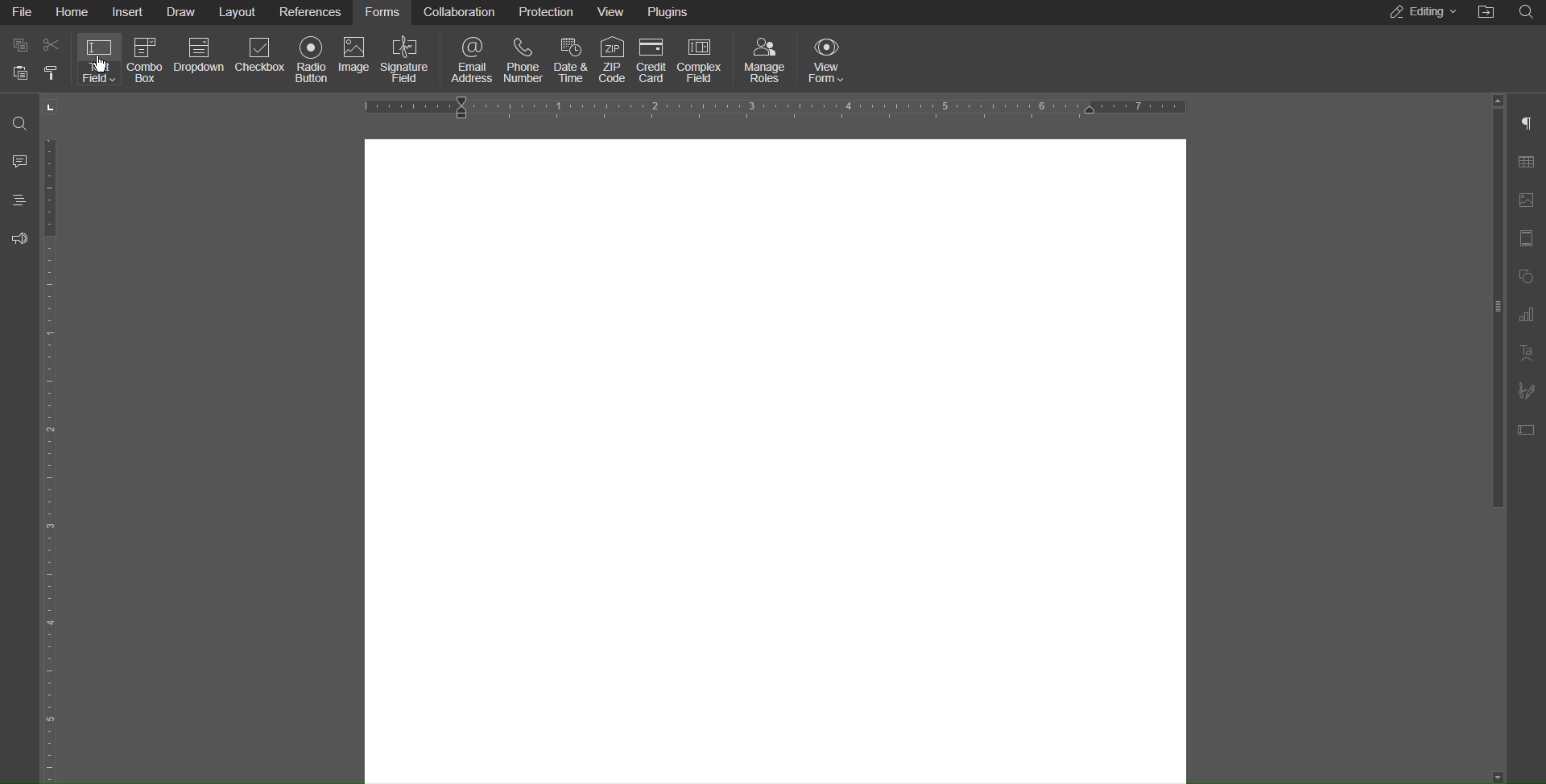 This screenshot has width=1546, height=784. What do you see at coordinates (52, 45) in the screenshot?
I see `cut` at bounding box center [52, 45].